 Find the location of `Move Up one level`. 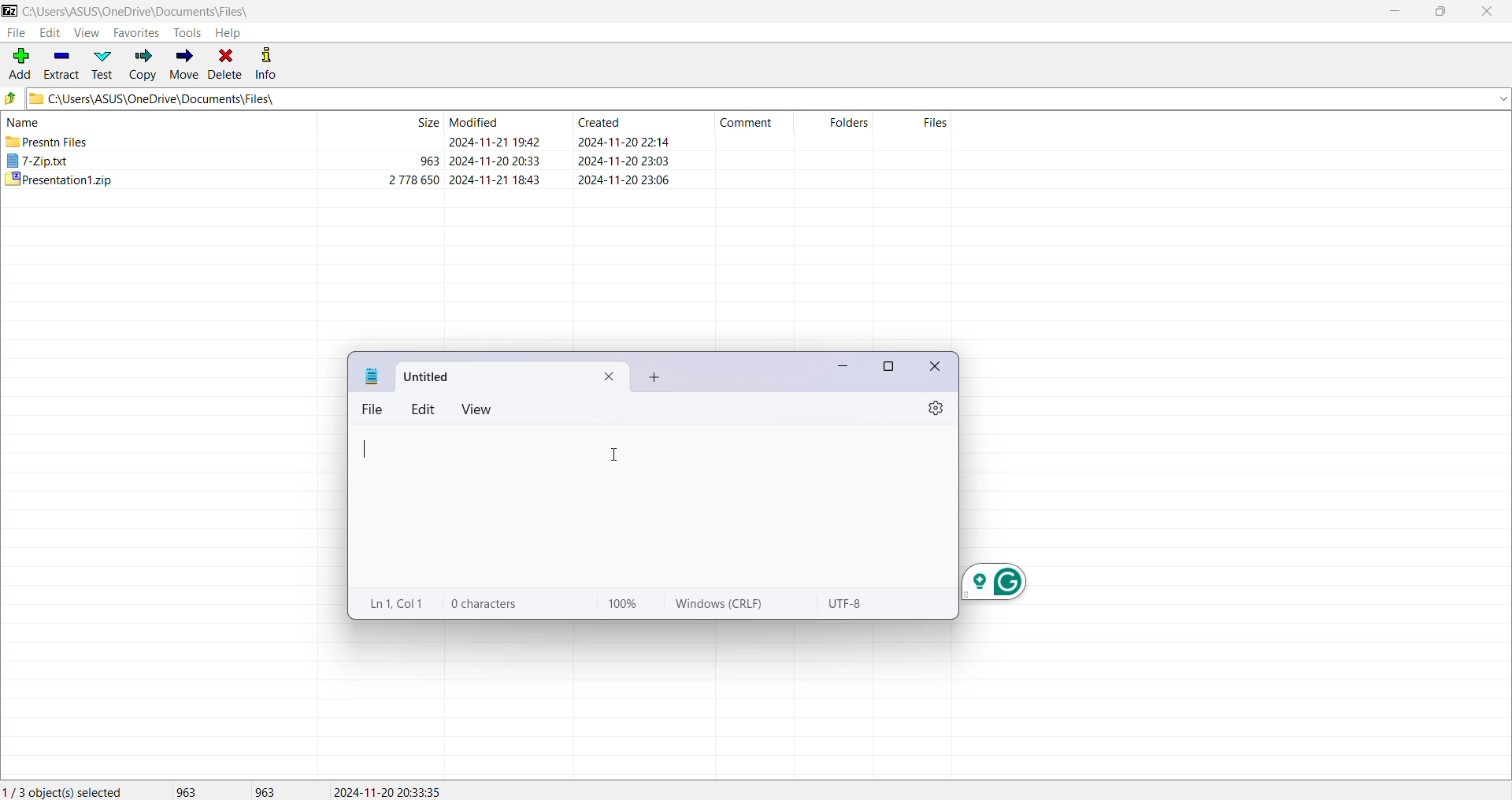

Move Up one level is located at coordinates (11, 99).